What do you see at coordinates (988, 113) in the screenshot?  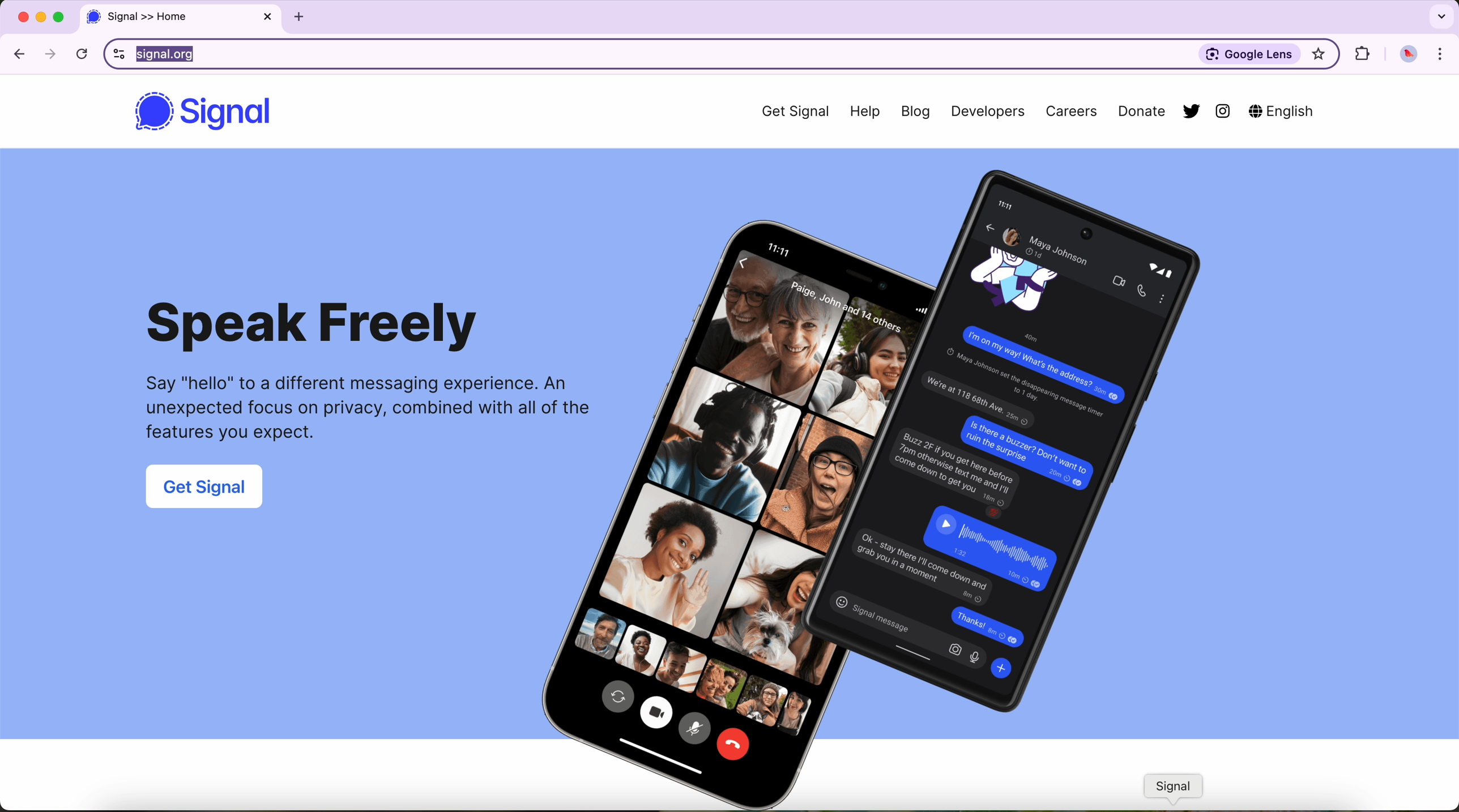 I see `Developers` at bounding box center [988, 113].